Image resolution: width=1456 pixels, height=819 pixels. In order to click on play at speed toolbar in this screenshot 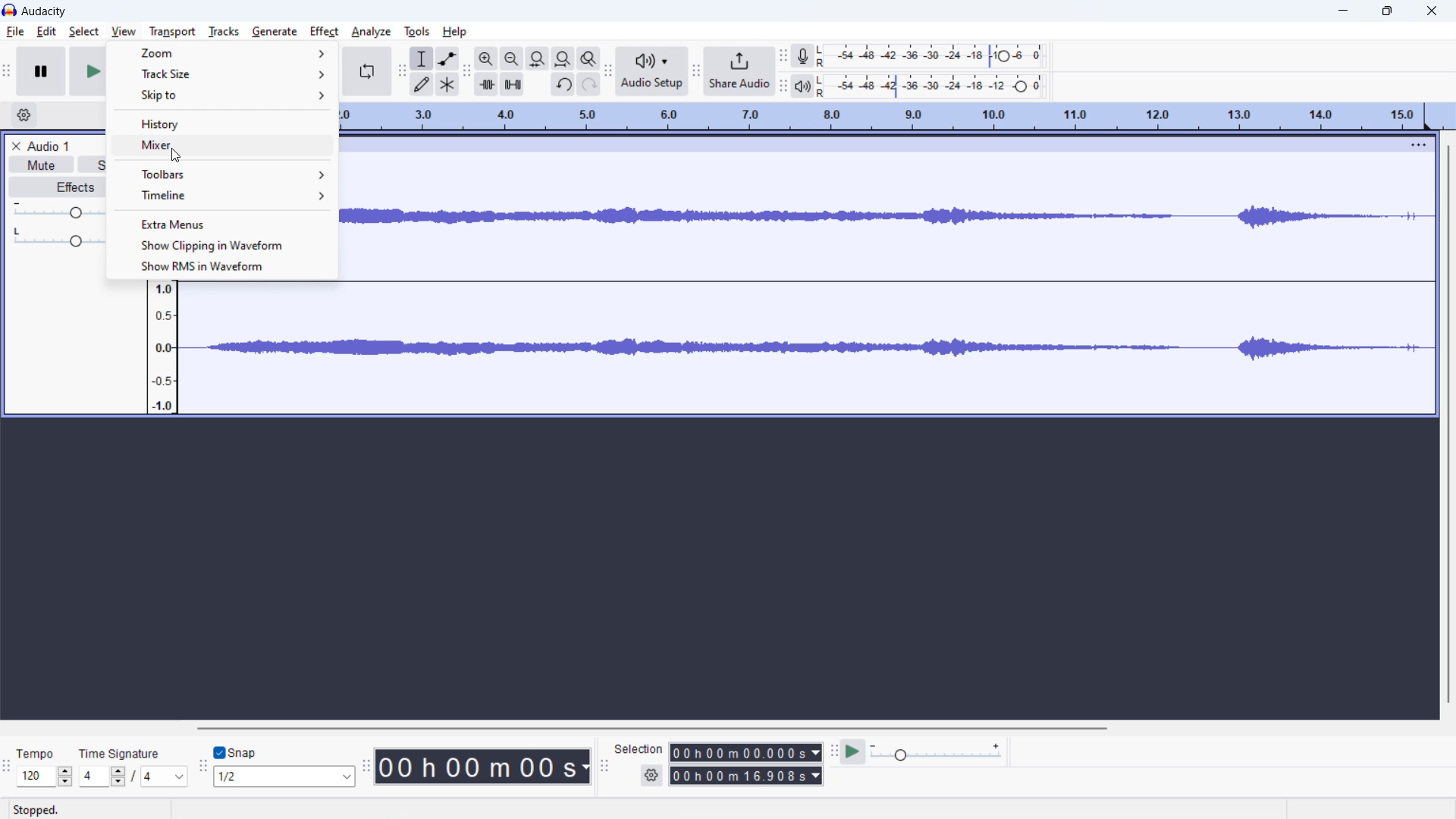, I will do `click(832, 751)`.